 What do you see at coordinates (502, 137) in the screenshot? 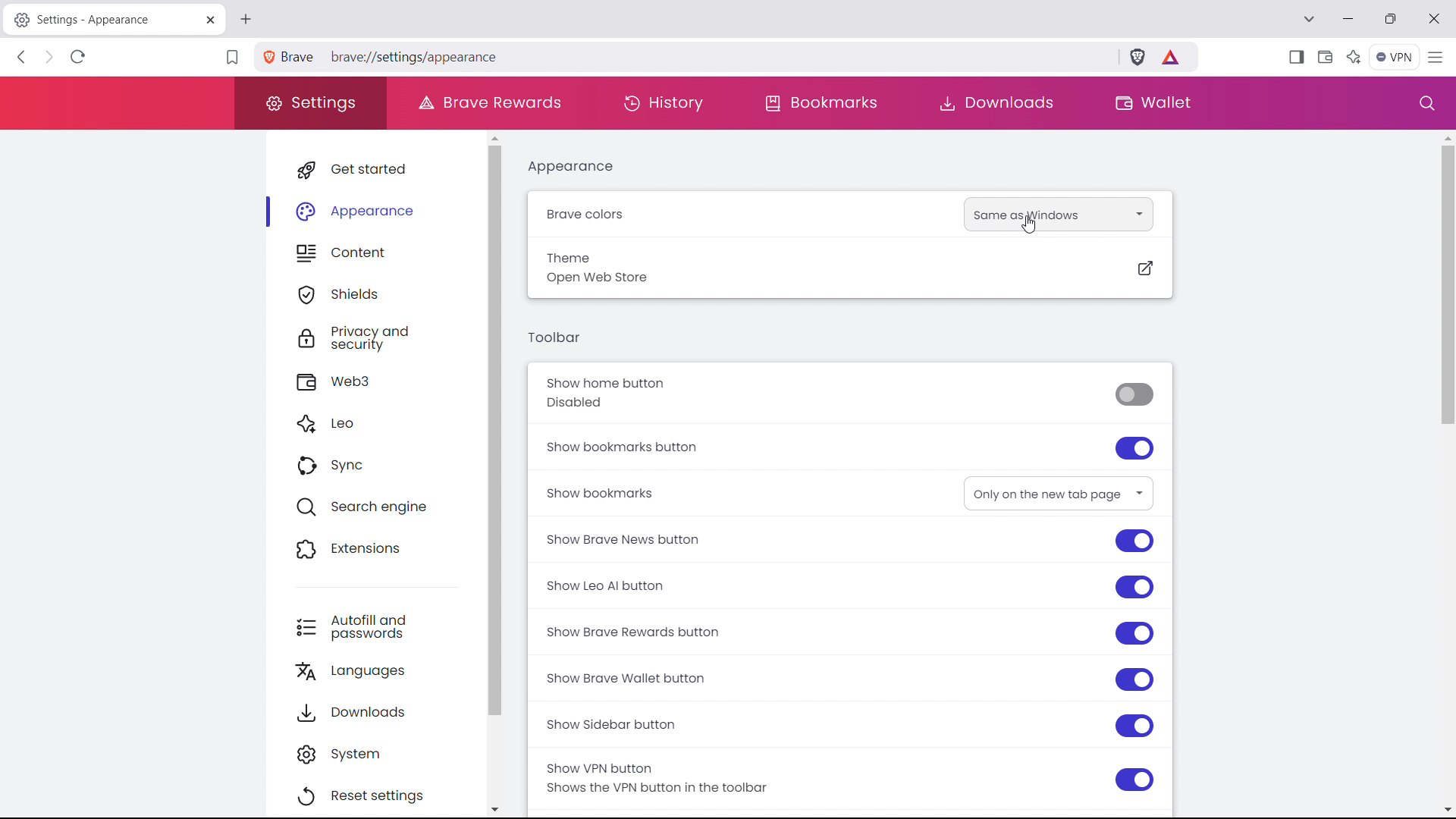
I see `scroll up` at bounding box center [502, 137].